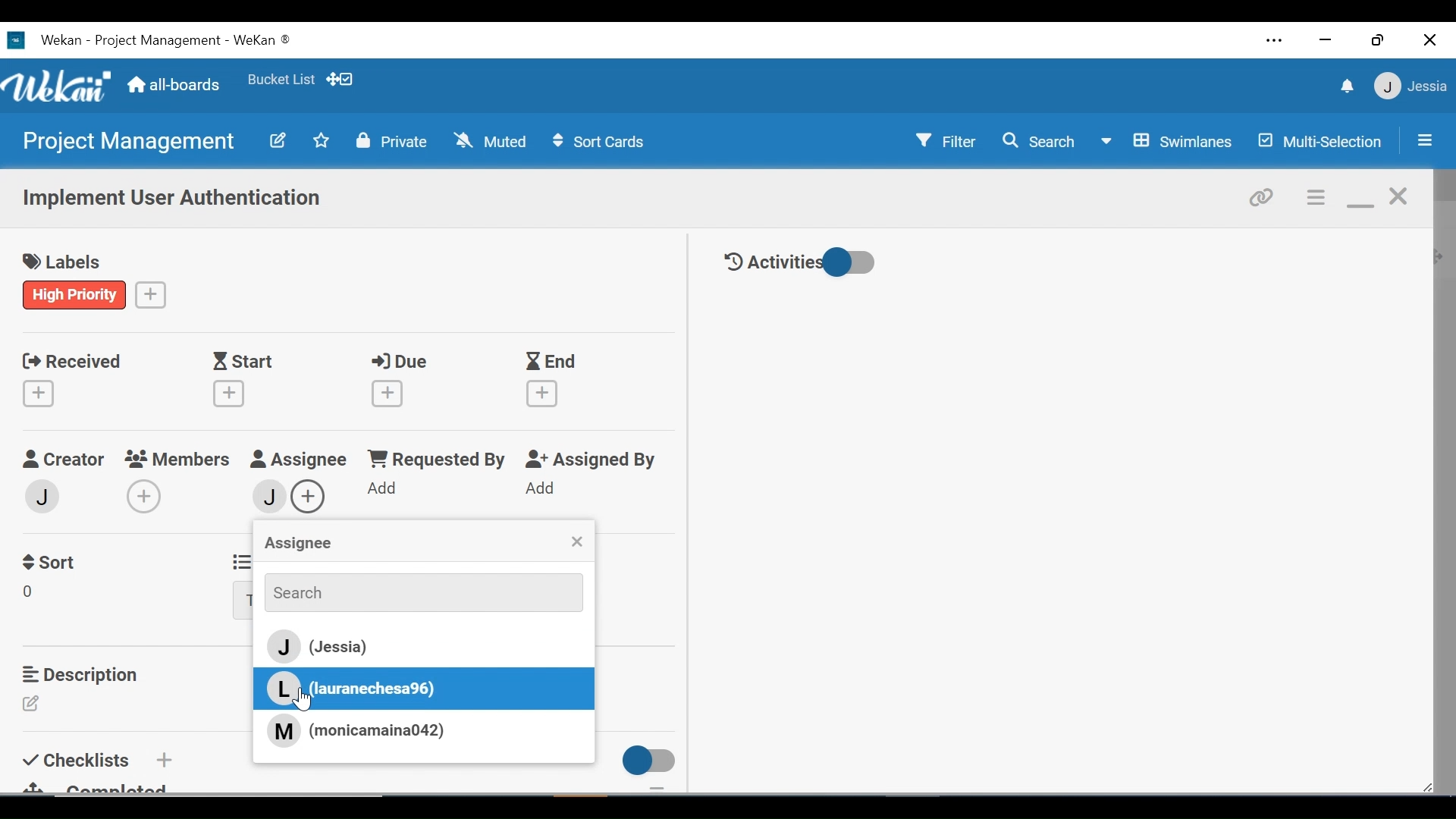 The image size is (1456, 819). What do you see at coordinates (322, 140) in the screenshot?
I see `Favorites` at bounding box center [322, 140].